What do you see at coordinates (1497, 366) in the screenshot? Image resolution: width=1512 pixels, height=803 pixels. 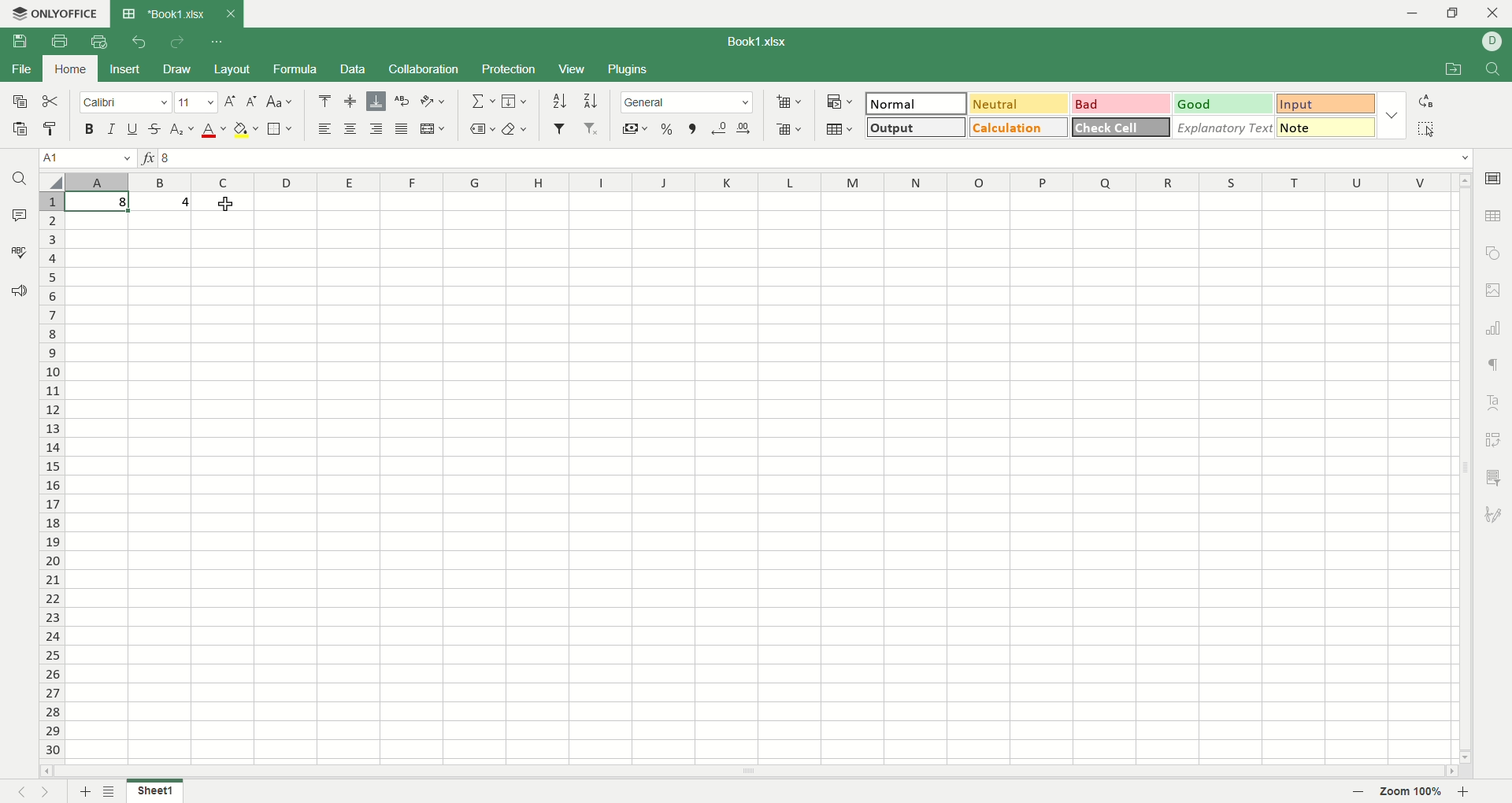 I see `paragraph settings` at bounding box center [1497, 366].